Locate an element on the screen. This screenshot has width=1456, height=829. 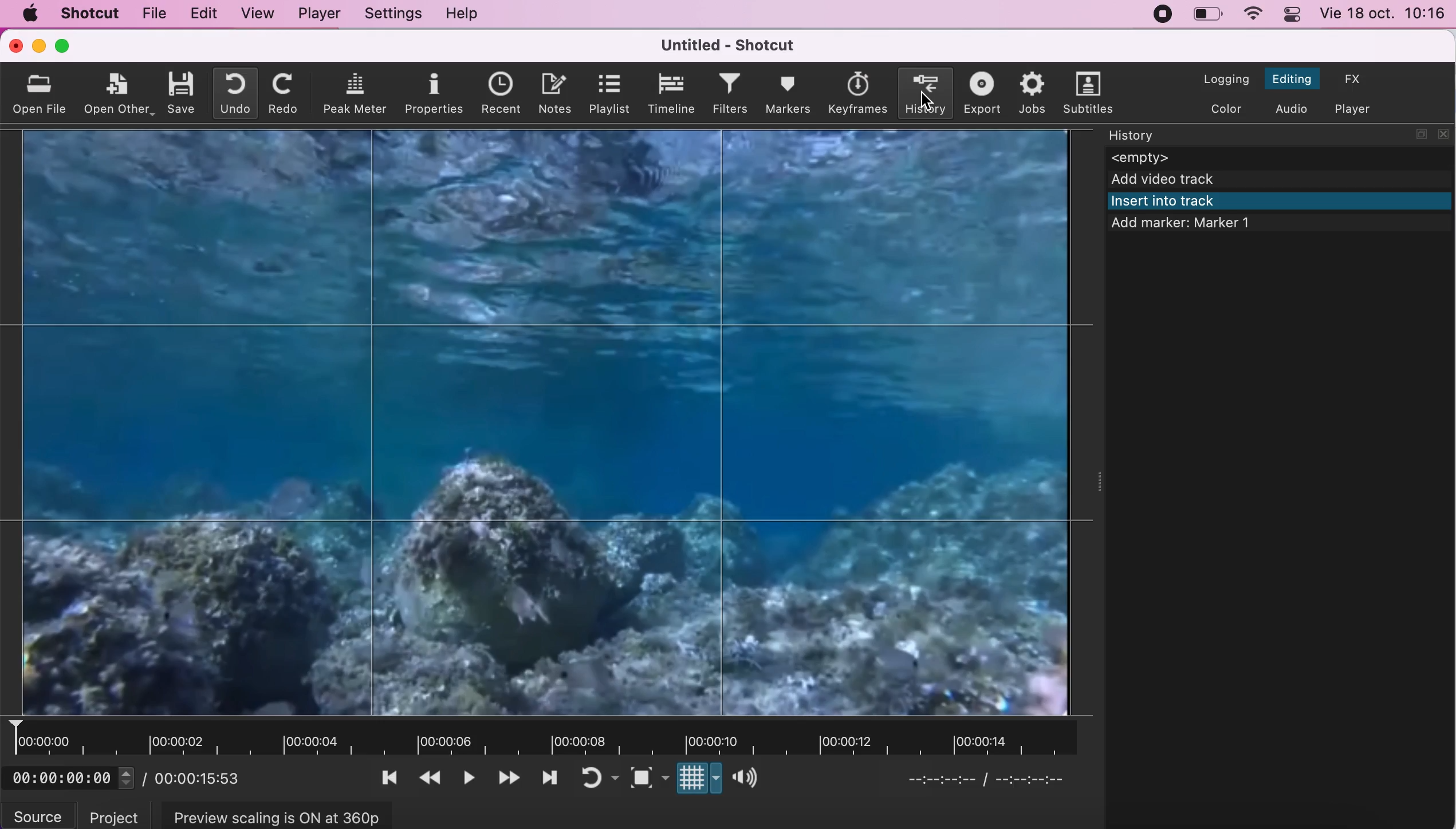
add video track is located at coordinates (1280, 180).